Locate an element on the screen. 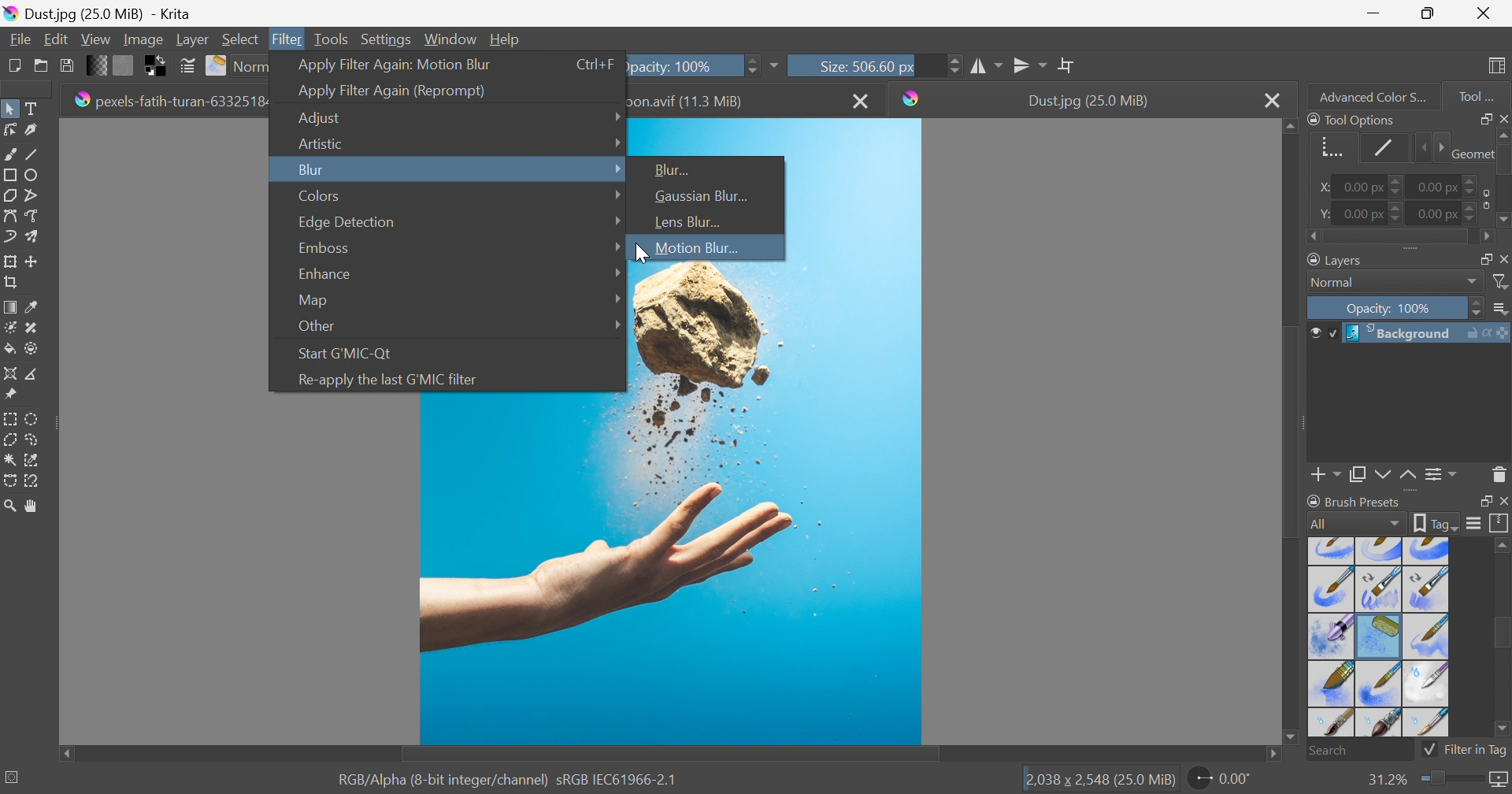 The image size is (1512, 794). Layers is located at coordinates (1337, 258).